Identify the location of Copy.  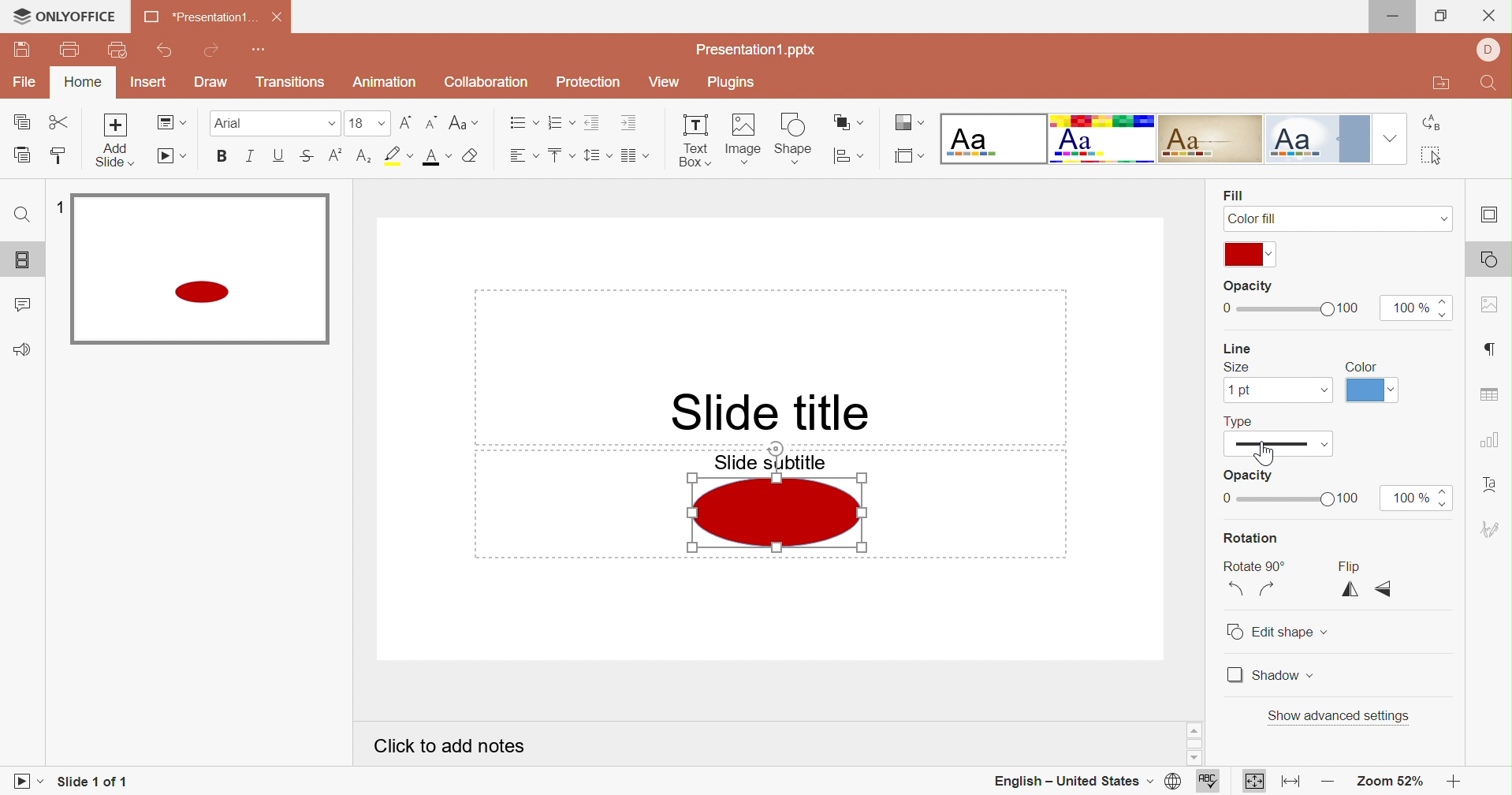
(23, 123).